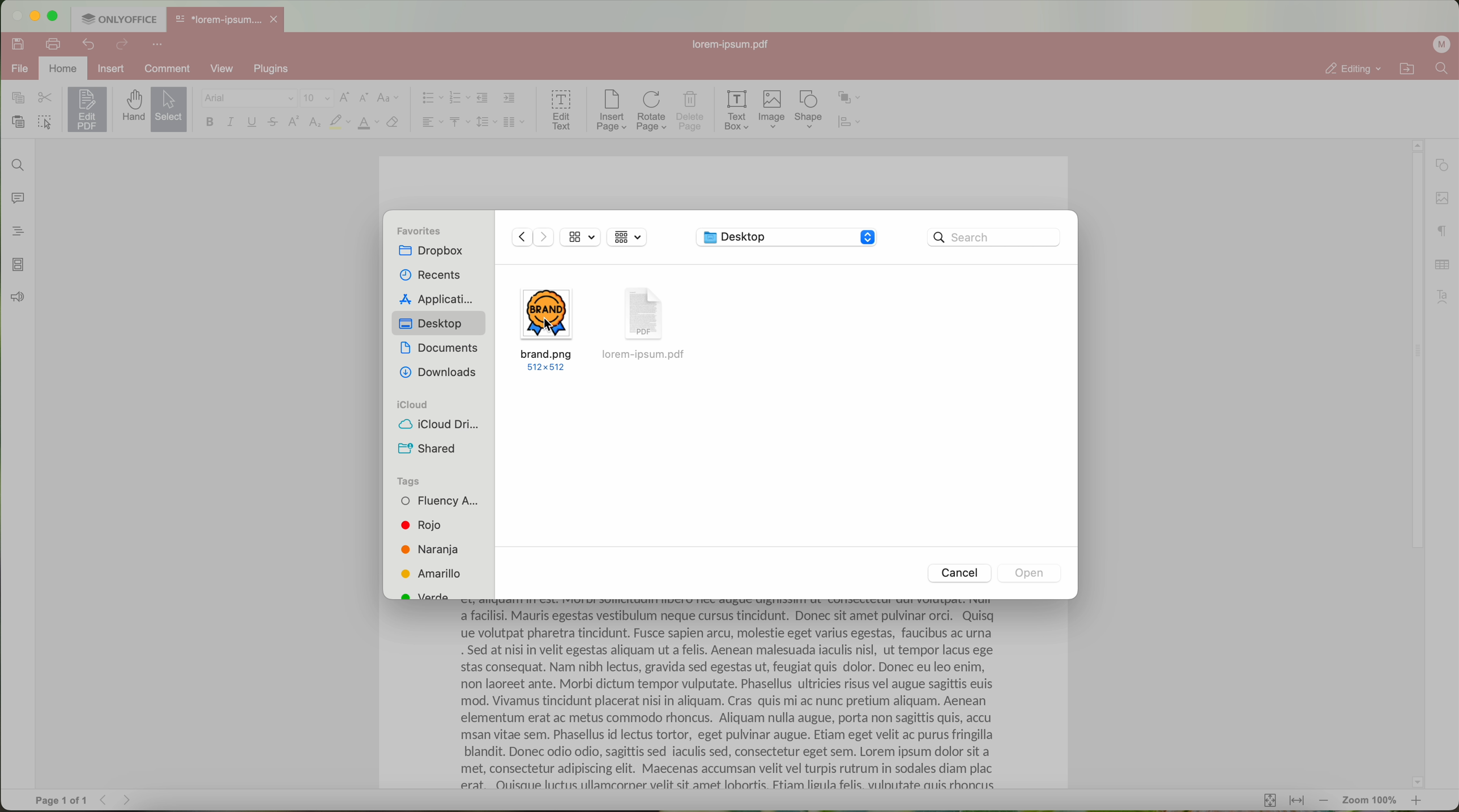 Image resolution: width=1459 pixels, height=812 pixels. I want to click on horizontal align, so click(431, 122).